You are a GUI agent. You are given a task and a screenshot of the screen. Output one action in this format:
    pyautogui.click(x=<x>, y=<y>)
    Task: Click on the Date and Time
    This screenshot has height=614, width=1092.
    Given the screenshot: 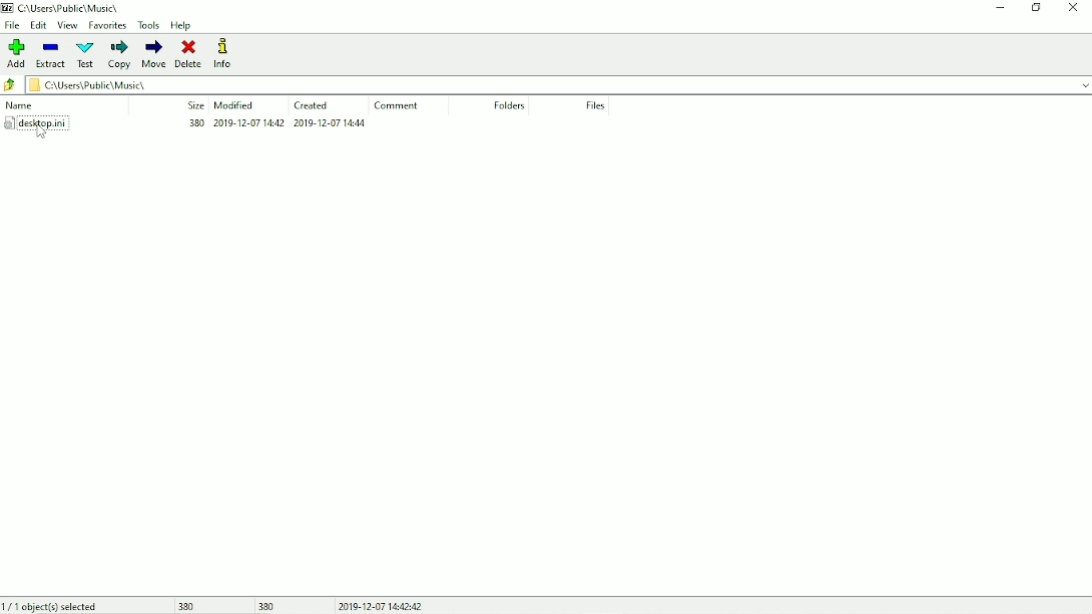 What is the action you would take?
    pyautogui.click(x=380, y=604)
    